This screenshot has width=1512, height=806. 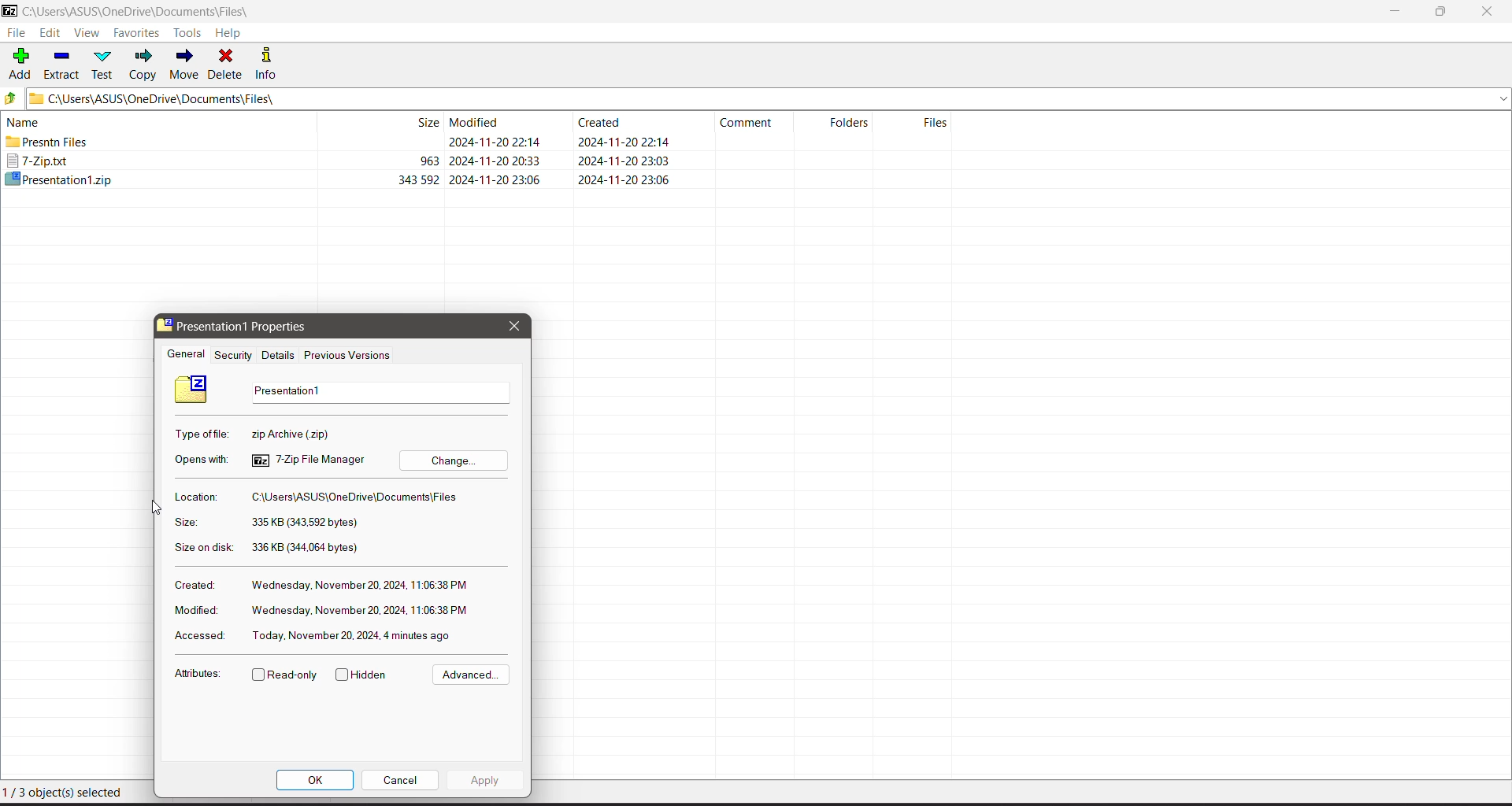 What do you see at coordinates (183, 523) in the screenshot?
I see `Size` at bounding box center [183, 523].